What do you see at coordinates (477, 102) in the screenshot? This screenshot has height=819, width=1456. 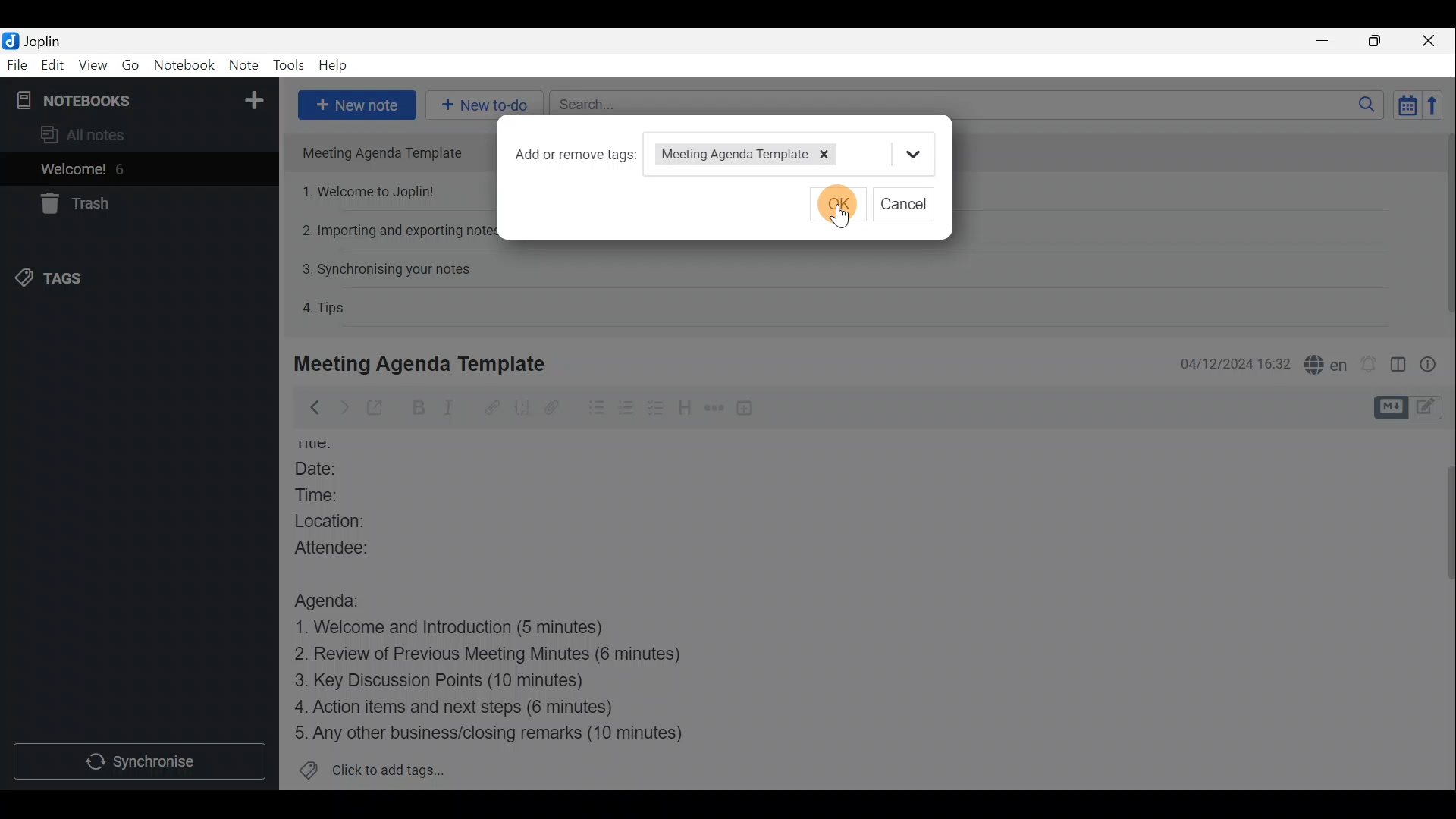 I see `New to-do` at bounding box center [477, 102].